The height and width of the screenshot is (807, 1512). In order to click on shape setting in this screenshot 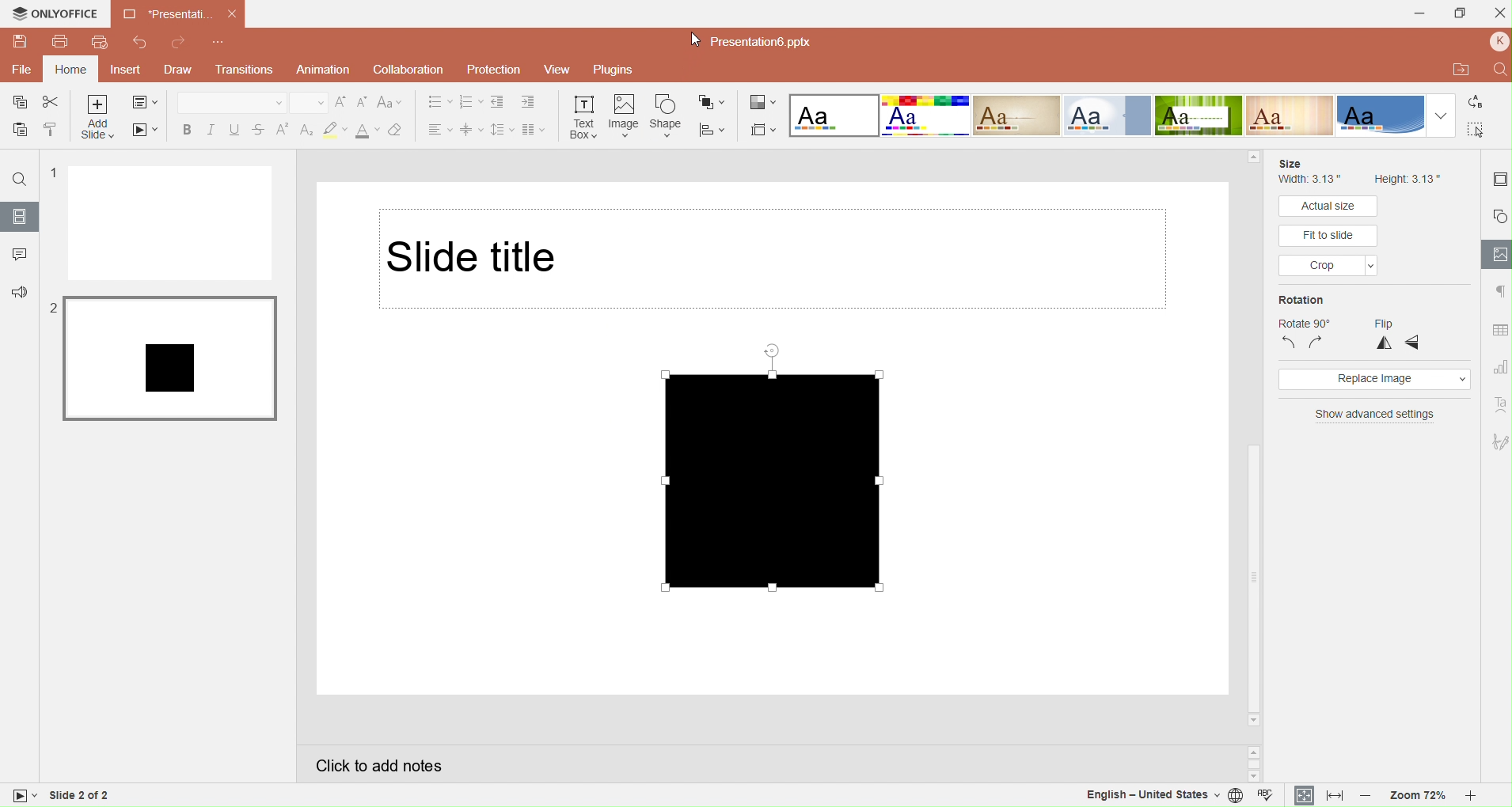, I will do `click(1499, 213)`.